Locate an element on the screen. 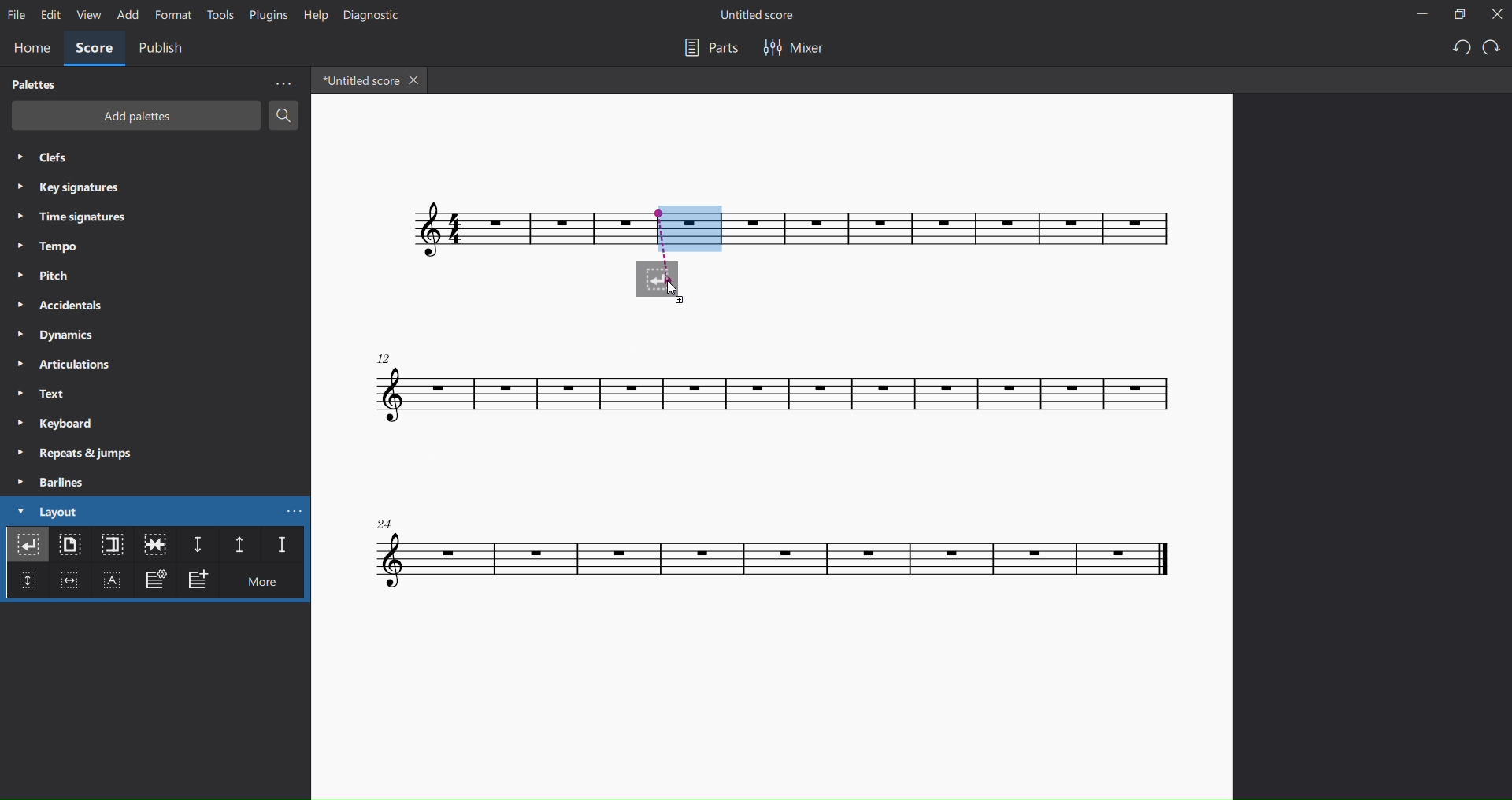 Image resolution: width=1512 pixels, height=800 pixels. system break layout is located at coordinates (28, 547).